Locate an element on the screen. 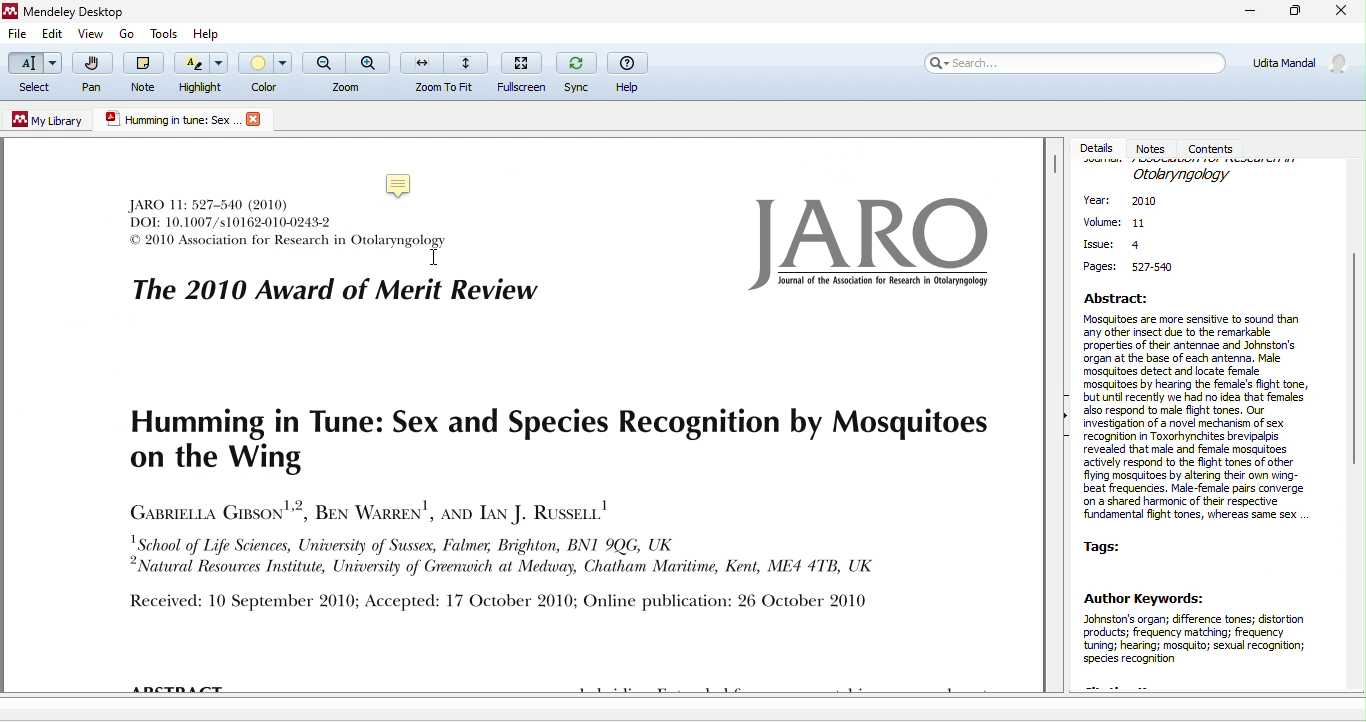 This screenshot has height=722, width=1366. issue:4 is located at coordinates (1113, 243).